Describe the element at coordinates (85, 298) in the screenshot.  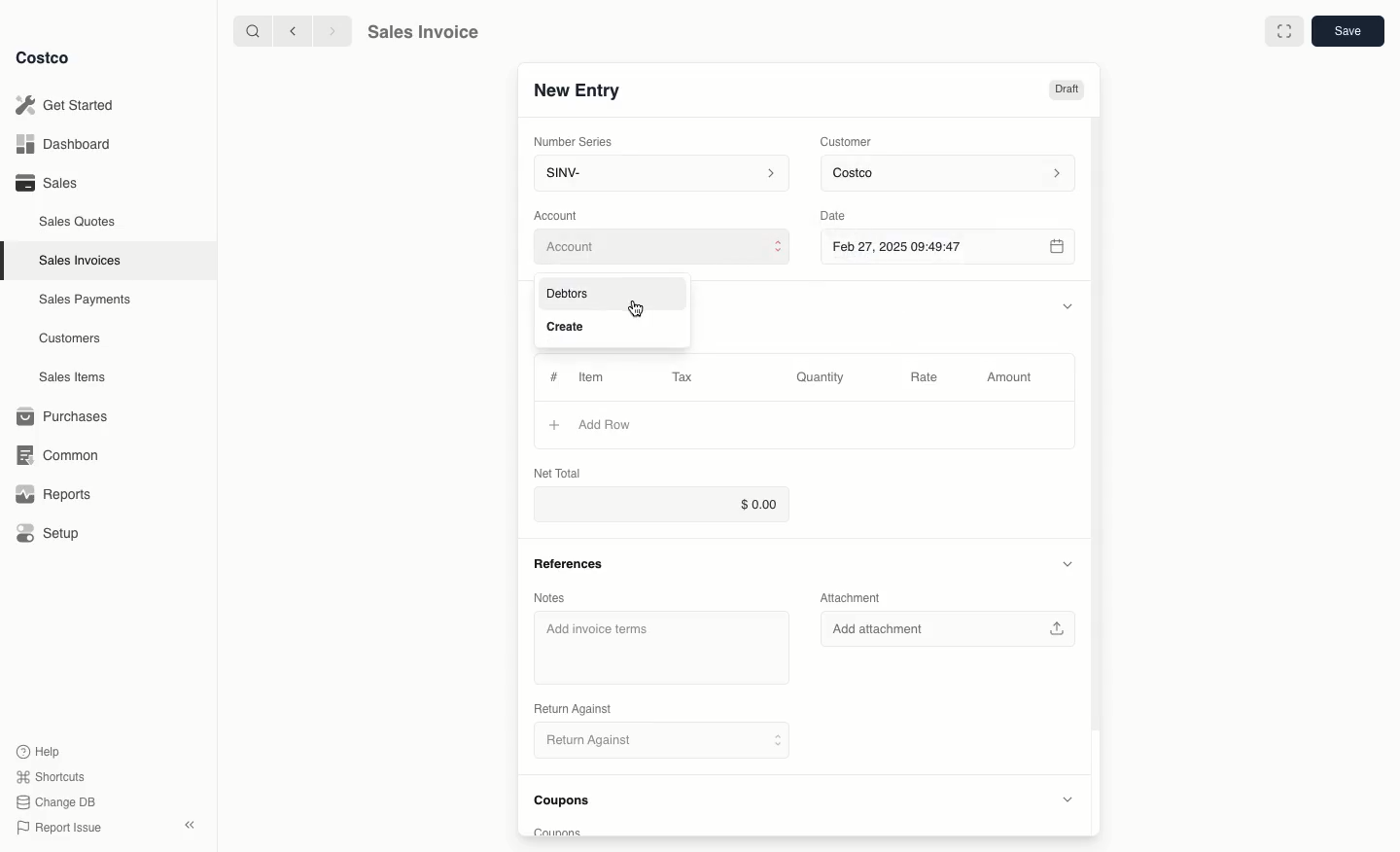
I see `‘Sales Payments` at that location.